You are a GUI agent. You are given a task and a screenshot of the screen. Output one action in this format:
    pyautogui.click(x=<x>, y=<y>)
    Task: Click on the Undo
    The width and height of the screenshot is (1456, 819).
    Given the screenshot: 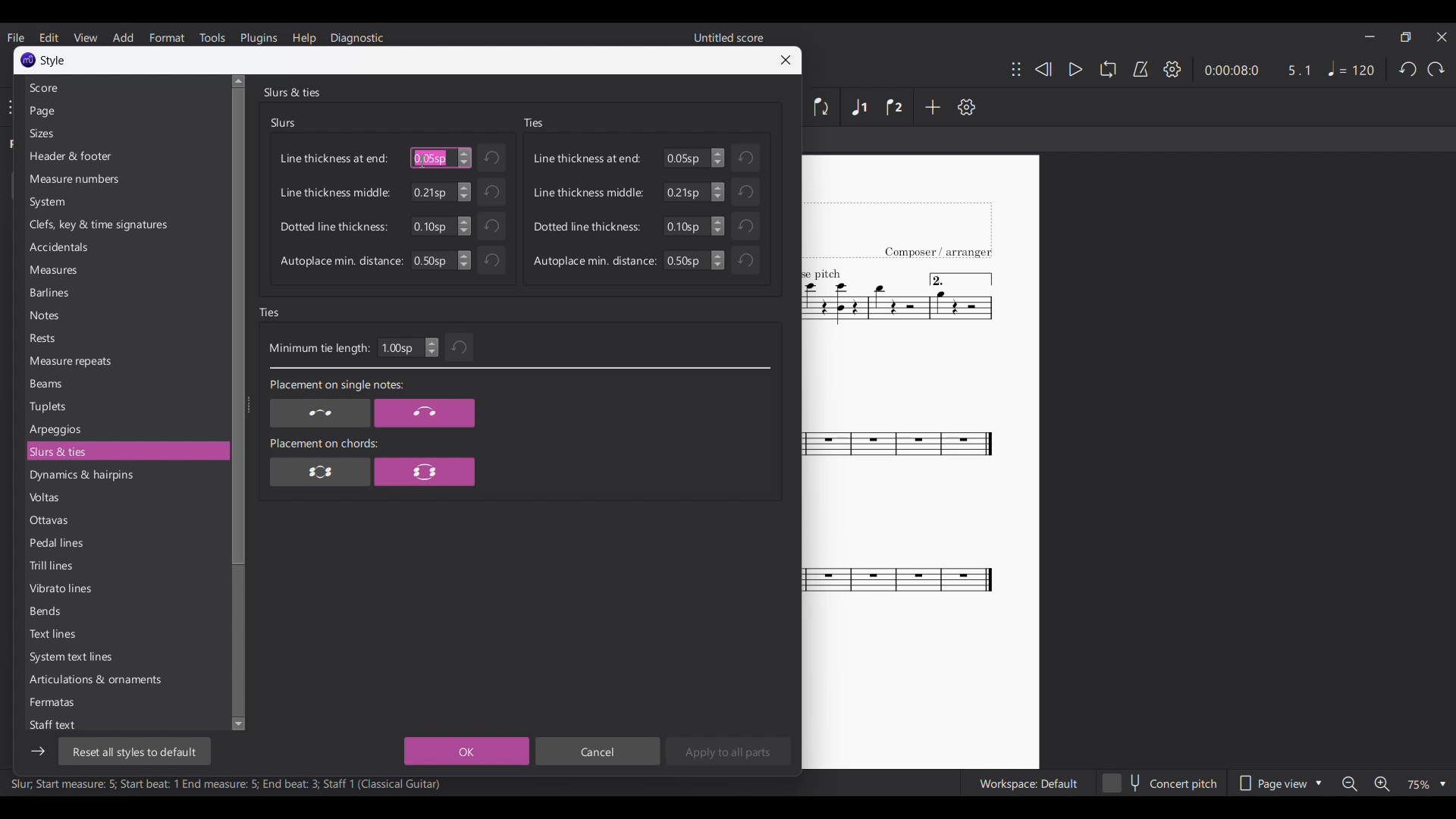 What is the action you would take?
    pyautogui.click(x=491, y=192)
    